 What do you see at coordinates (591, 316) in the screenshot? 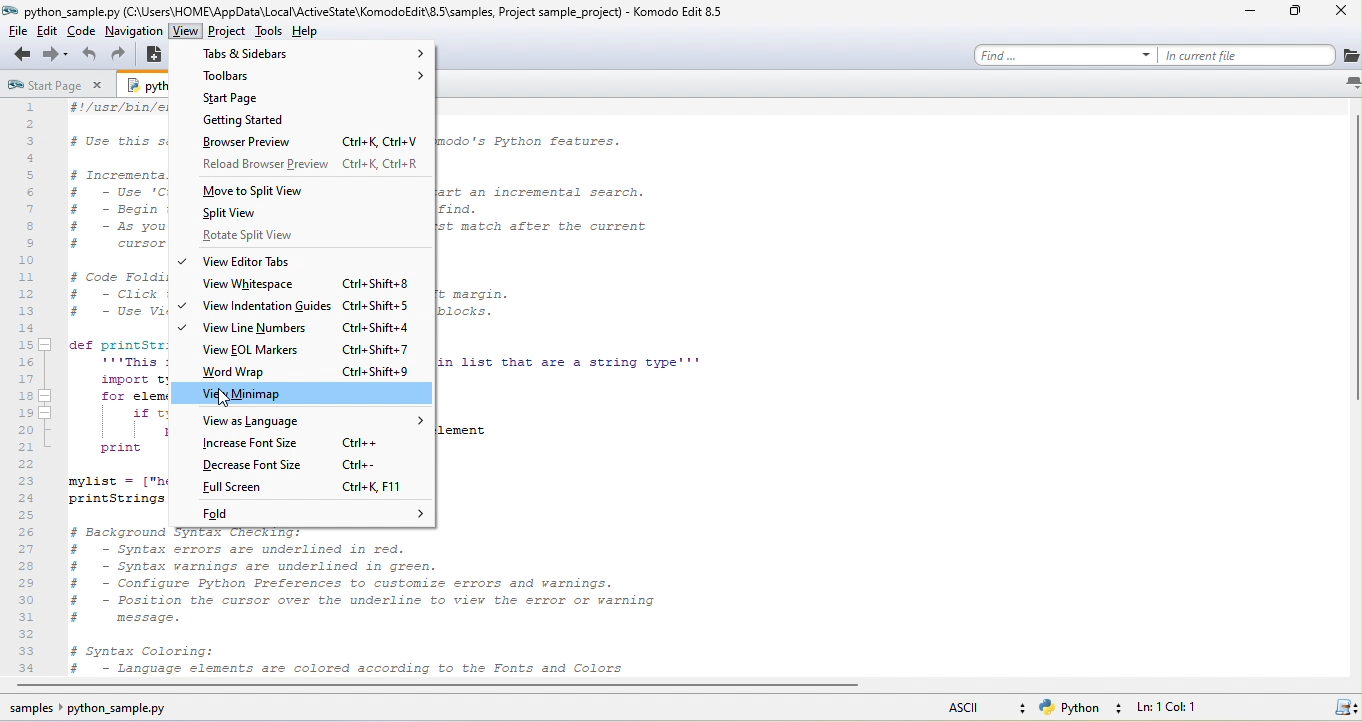
I see `python code` at bounding box center [591, 316].